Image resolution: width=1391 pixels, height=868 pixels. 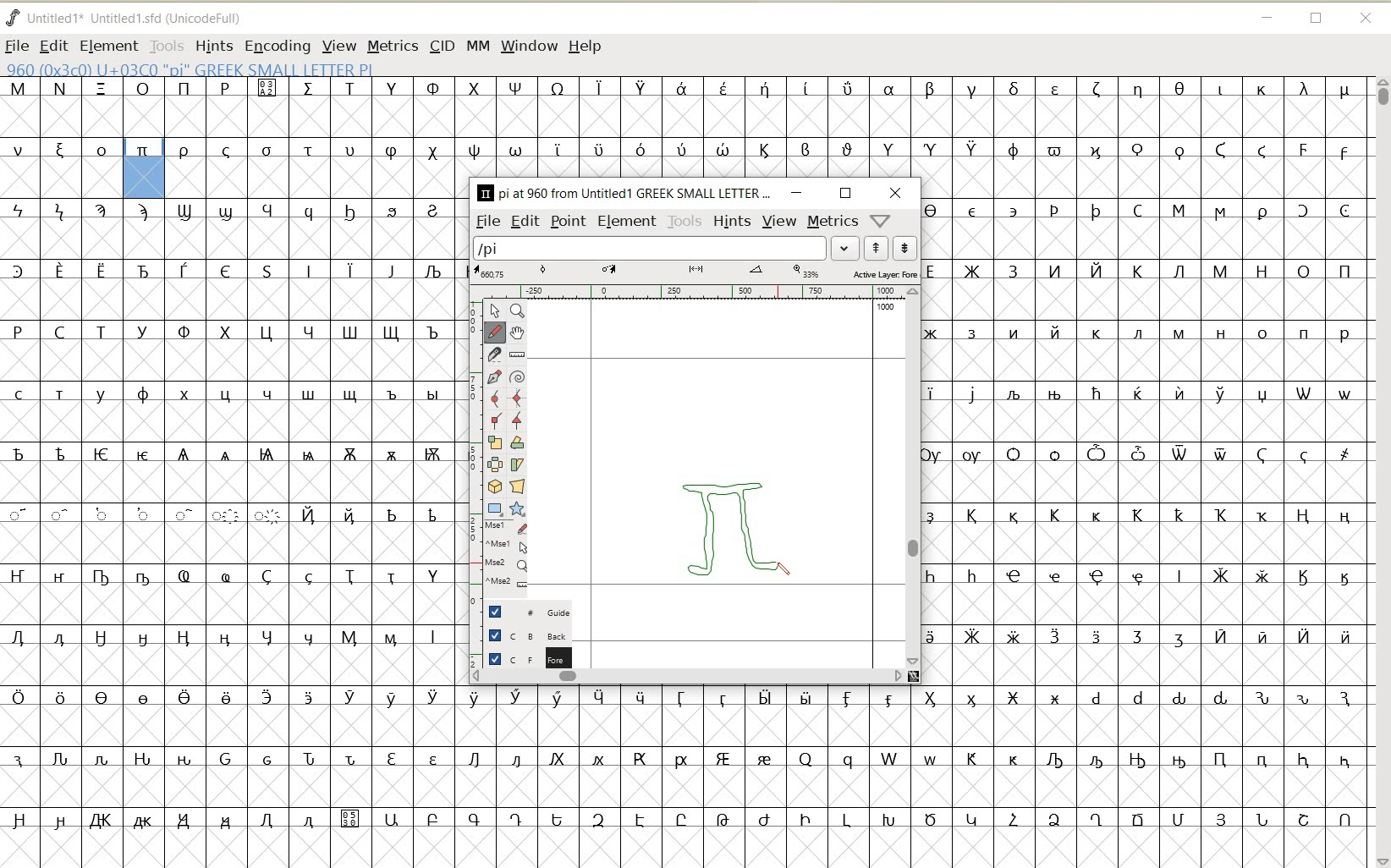 I want to click on FILE, so click(x=16, y=46).